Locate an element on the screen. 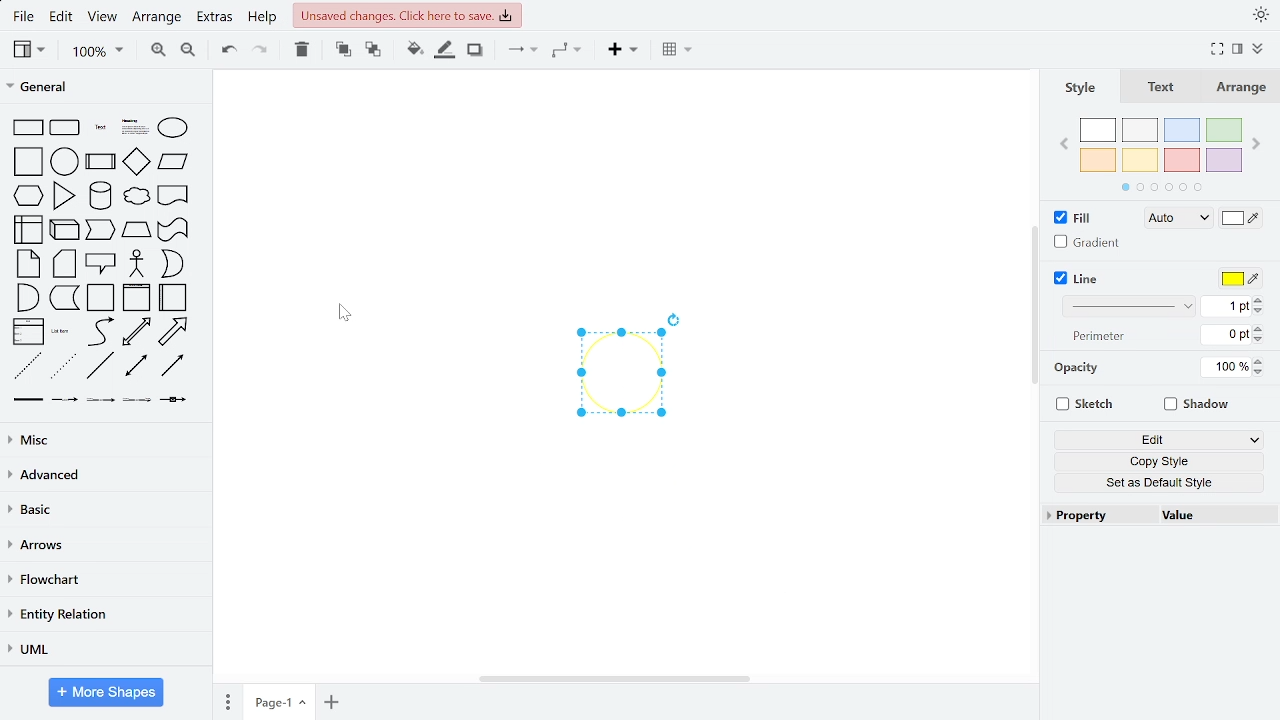 This screenshot has width=1280, height=720. copy style is located at coordinates (1159, 462).